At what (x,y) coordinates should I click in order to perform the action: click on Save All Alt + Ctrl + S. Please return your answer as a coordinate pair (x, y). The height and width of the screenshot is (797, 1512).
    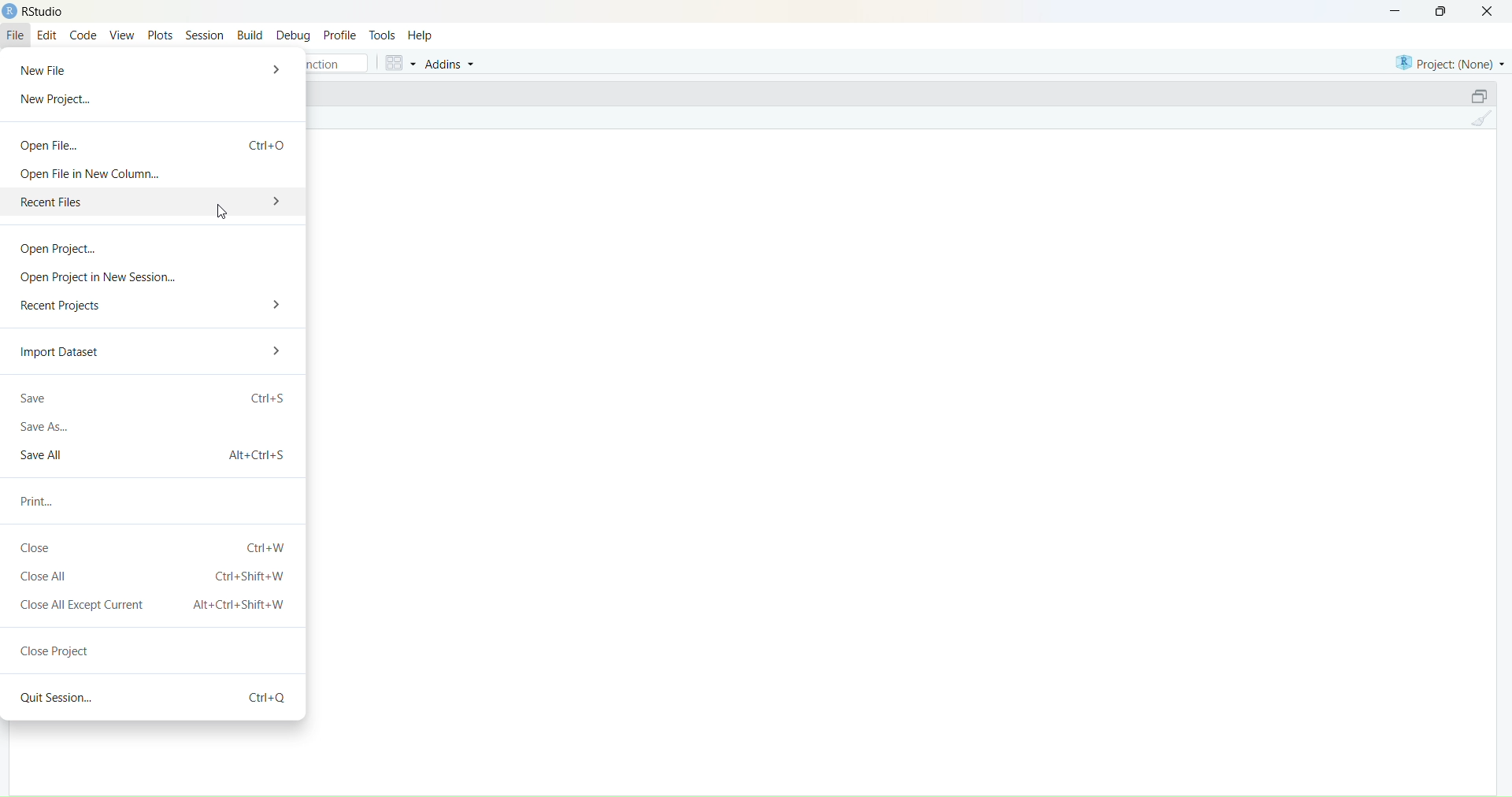
    Looking at the image, I should click on (154, 455).